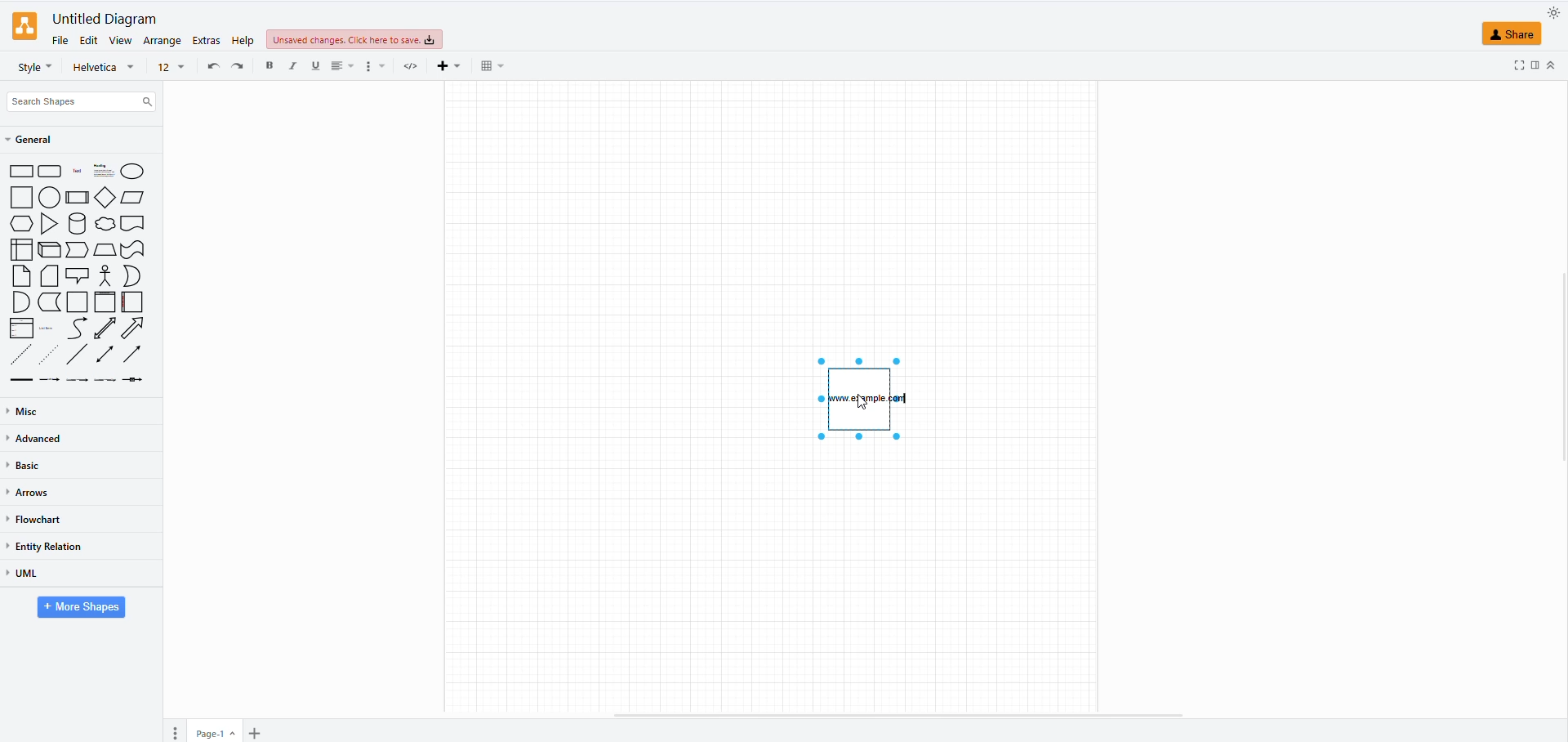  I want to click on rounded rectangle, so click(51, 172).